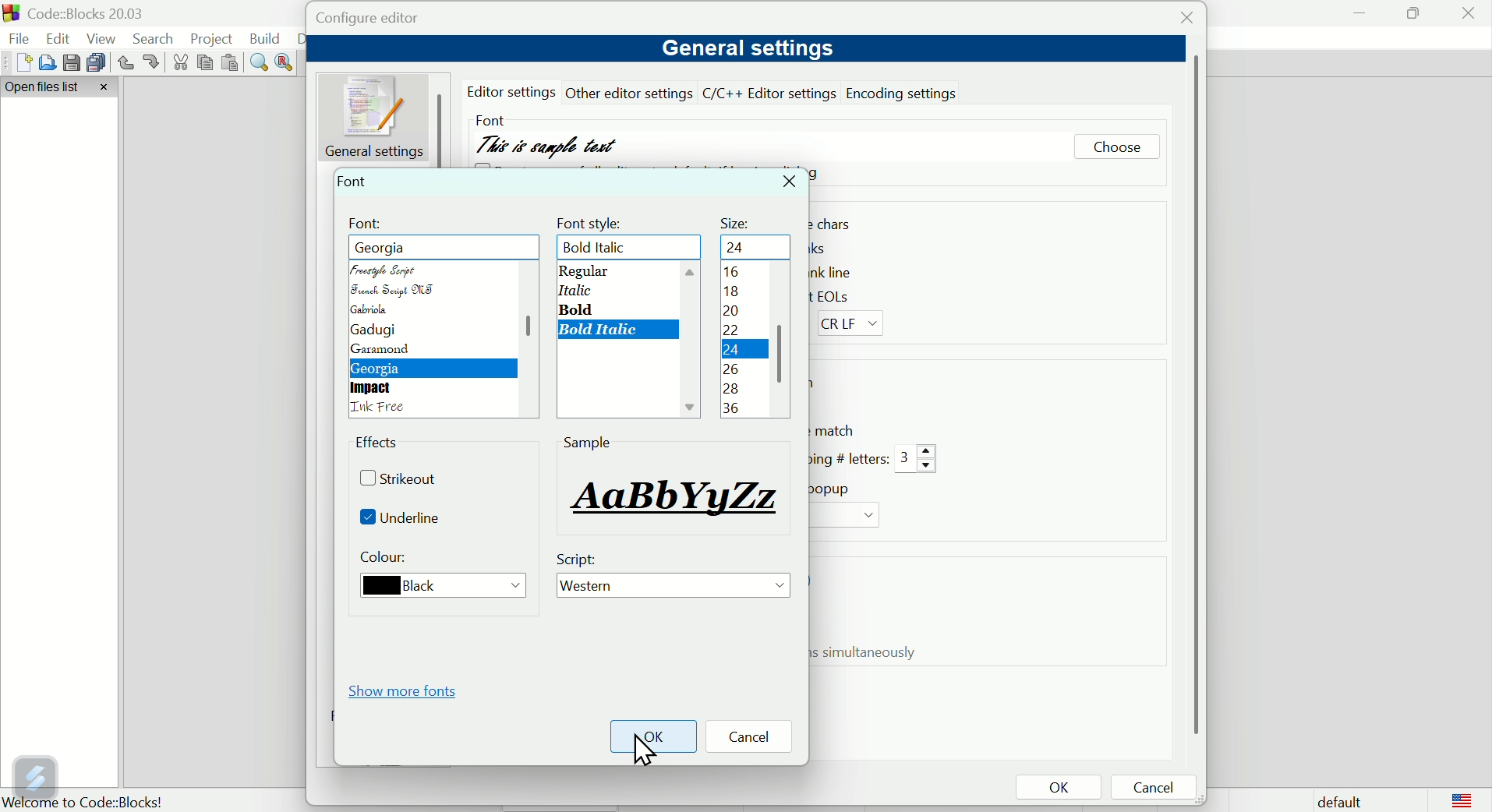  Describe the element at coordinates (855, 324) in the screenshot. I see `CR LF` at that location.